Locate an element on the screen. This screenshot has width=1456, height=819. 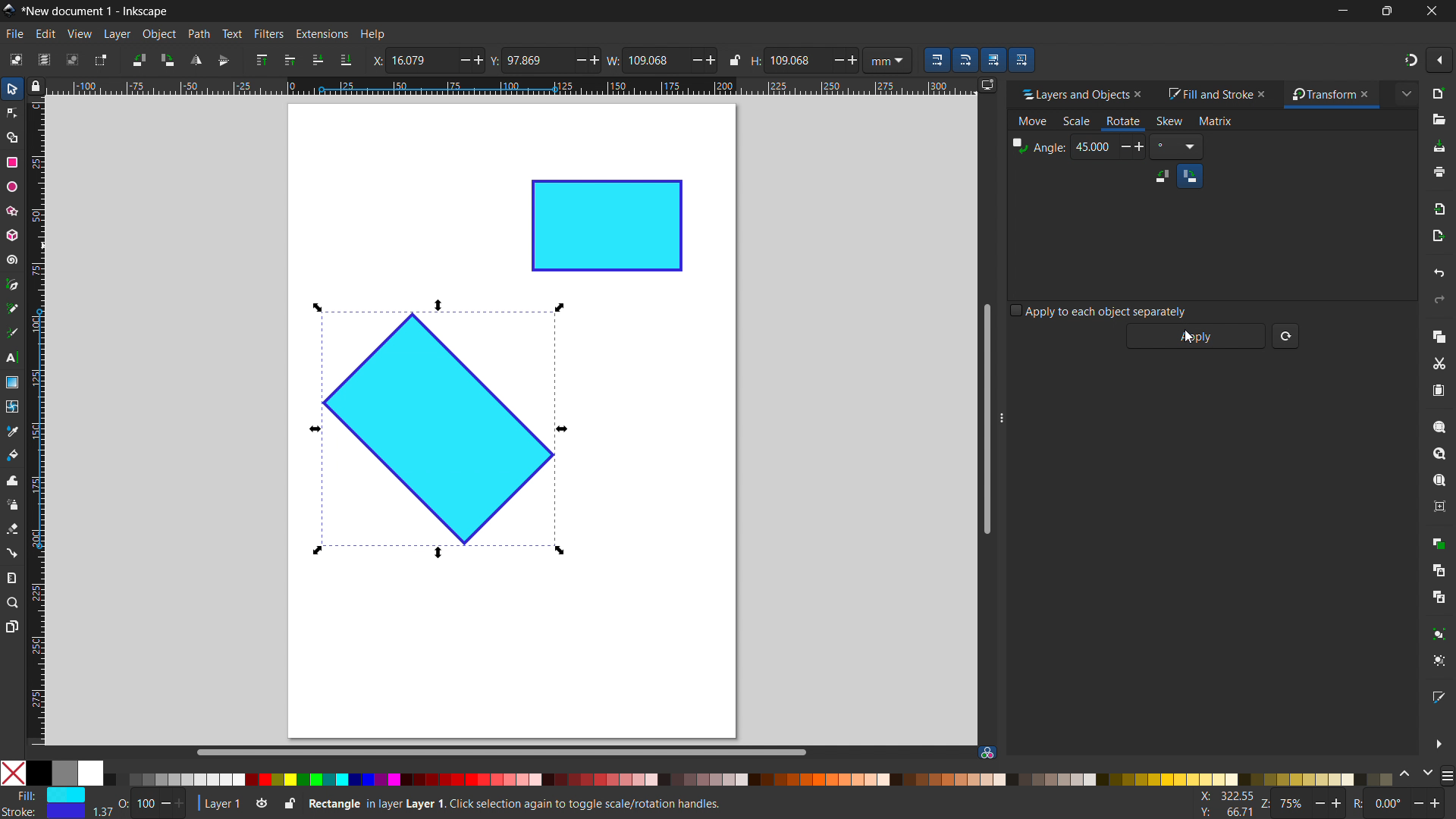
pencil tool is located at coordinates (11, 308).